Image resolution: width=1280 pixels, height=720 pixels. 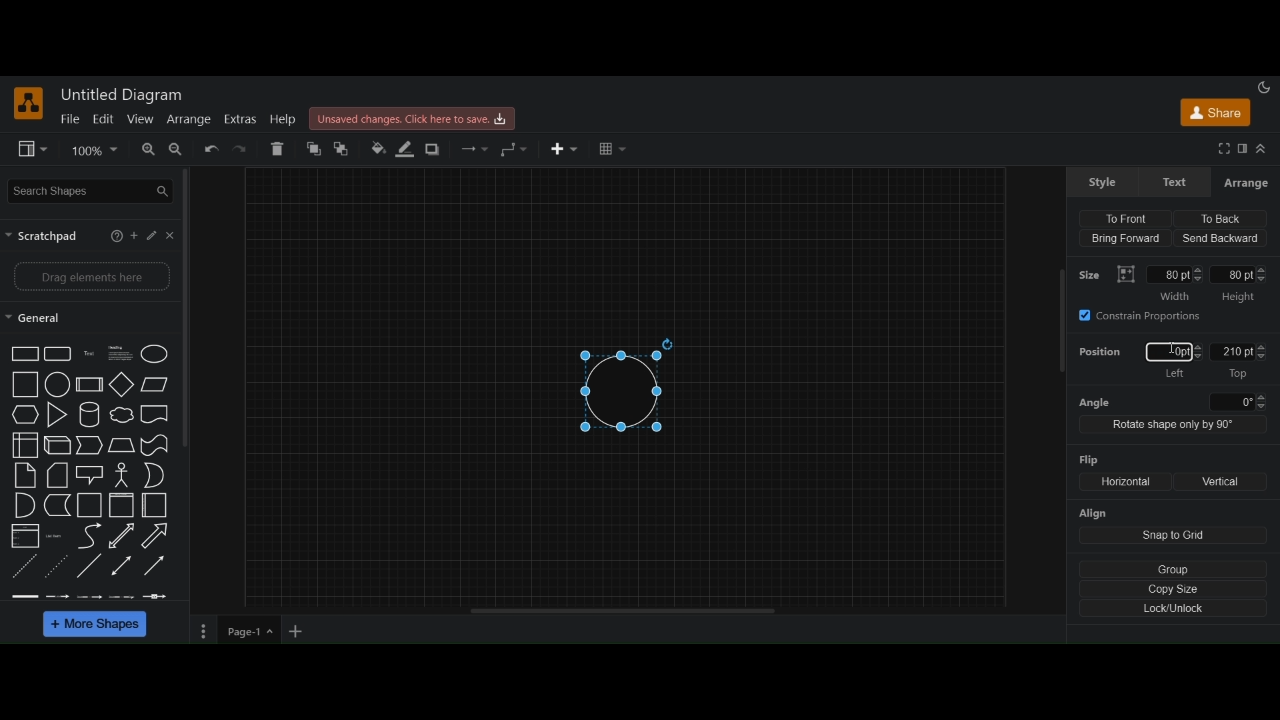 What do you see at coordinates (119, 352) in the screenshot?
I see `Para` at bounding box center [119, 352].